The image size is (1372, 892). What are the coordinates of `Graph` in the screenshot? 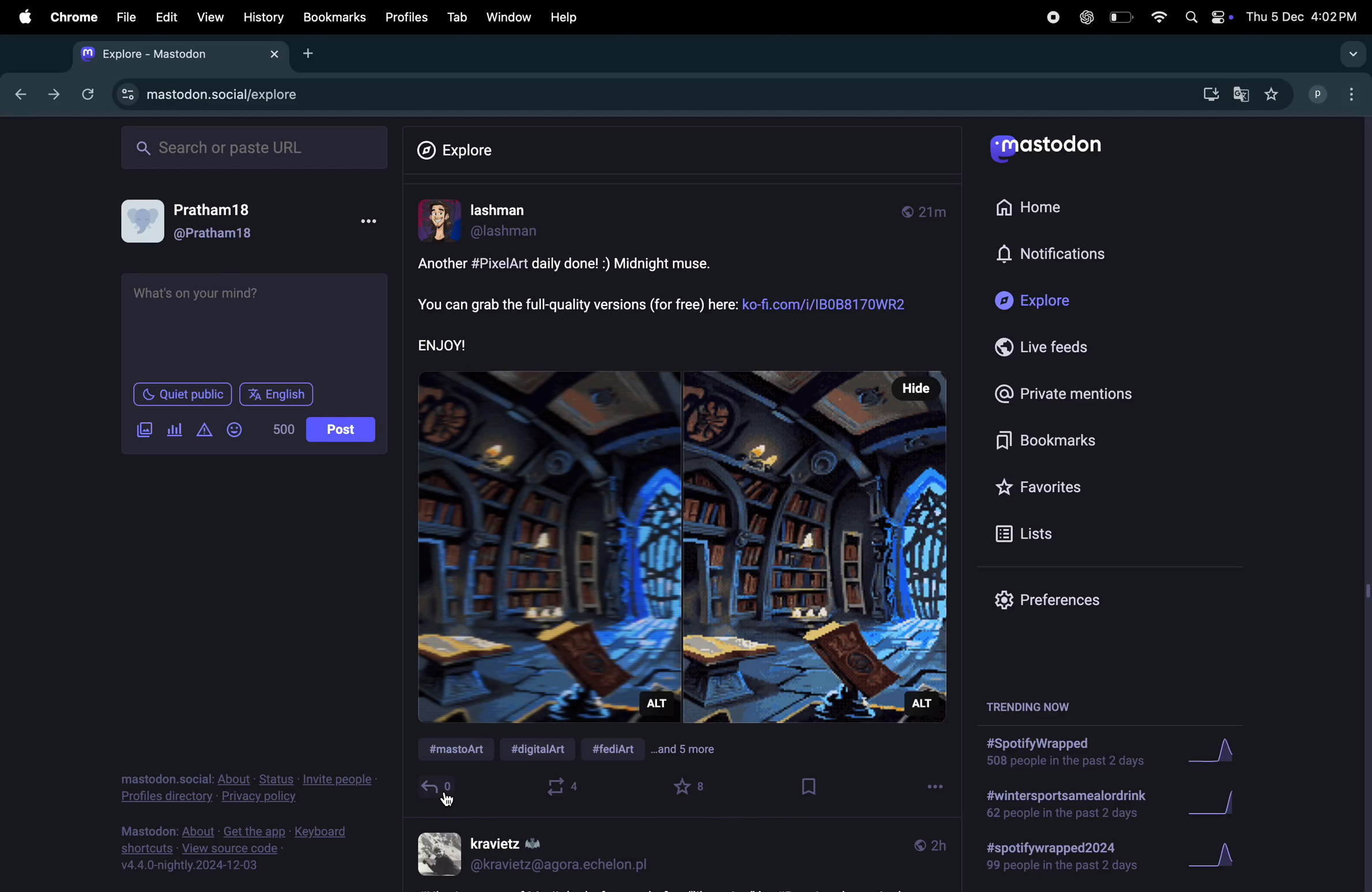 It's located at (1220, 806).